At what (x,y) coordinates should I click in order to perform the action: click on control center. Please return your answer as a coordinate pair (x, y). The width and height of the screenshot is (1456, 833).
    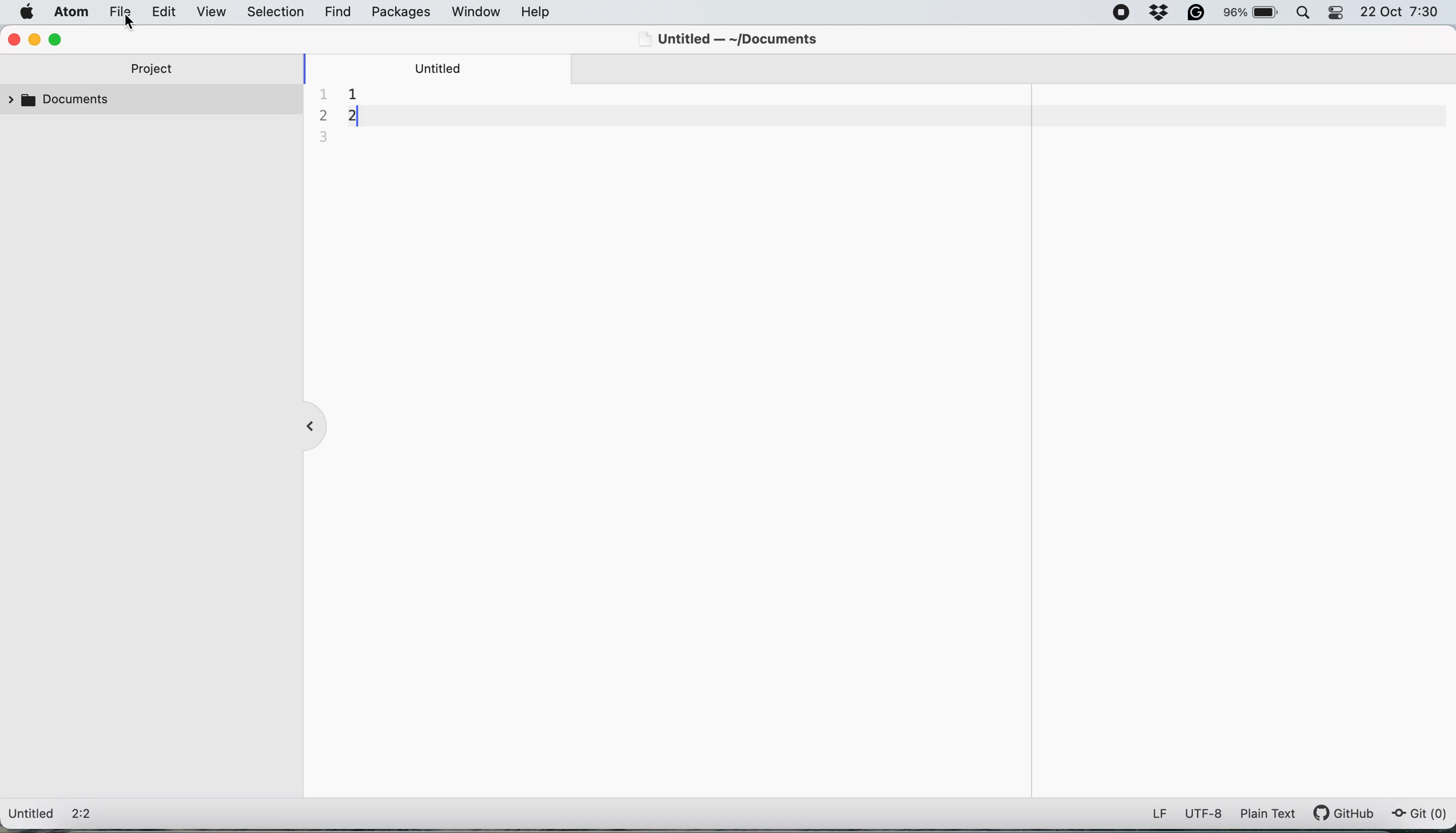
    Looking at the image, I should click on (1337, 13).